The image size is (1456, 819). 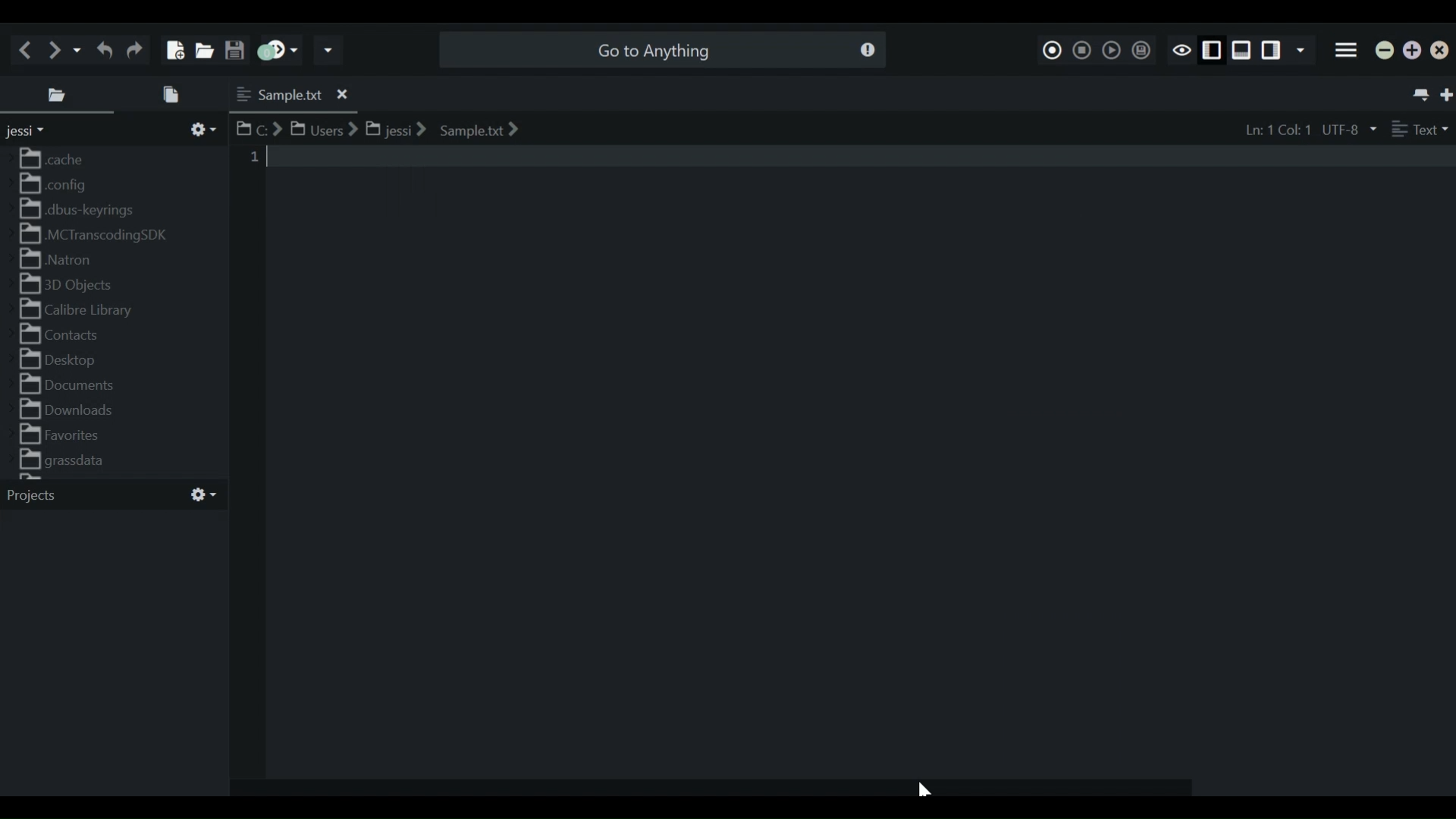 What do you see at coordinates (841, 454) in the screenshot?
I see `interface` at bounding box center [841, 454].